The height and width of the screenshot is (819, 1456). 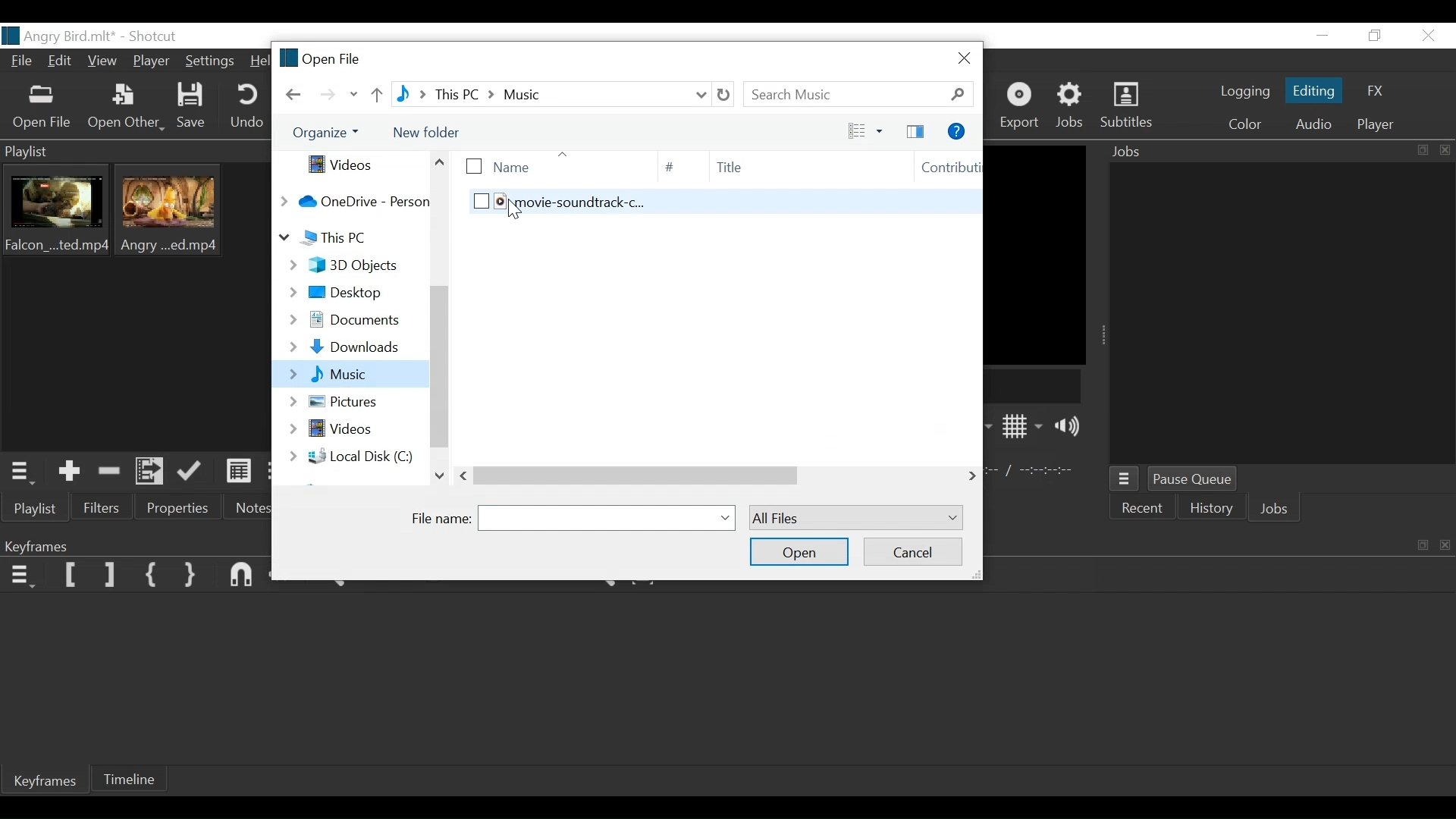 What do you see at coordinates (152, 472) in the screenshot?
I see `Add files to the playlist` at bounding box center [152, 472].